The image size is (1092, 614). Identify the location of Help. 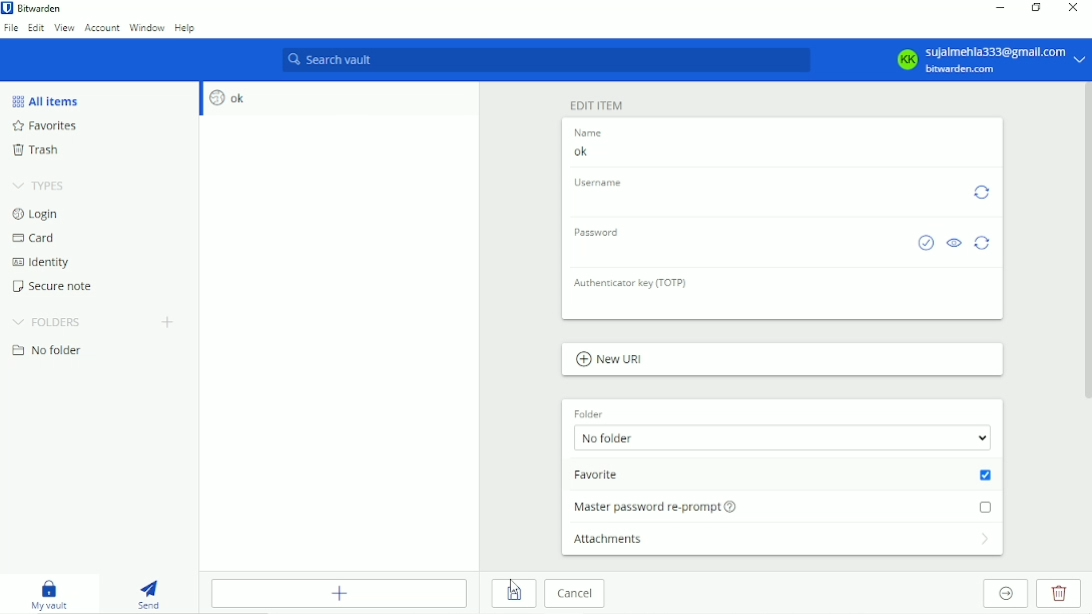
(185, 28).